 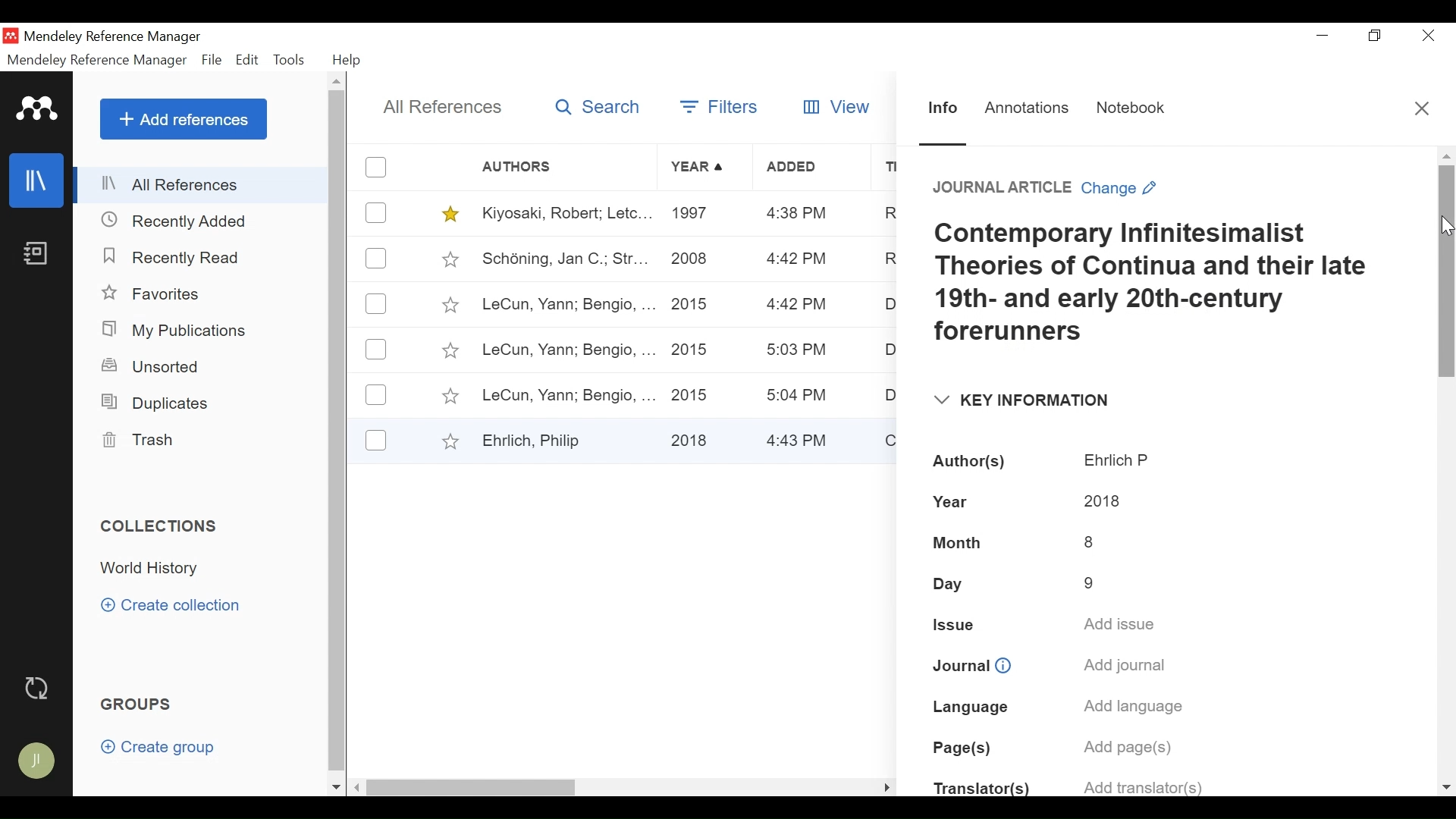 What do you see at coordinates (959, 543) in the screenshot?
I see `Month` at bounding box center [959, 543].